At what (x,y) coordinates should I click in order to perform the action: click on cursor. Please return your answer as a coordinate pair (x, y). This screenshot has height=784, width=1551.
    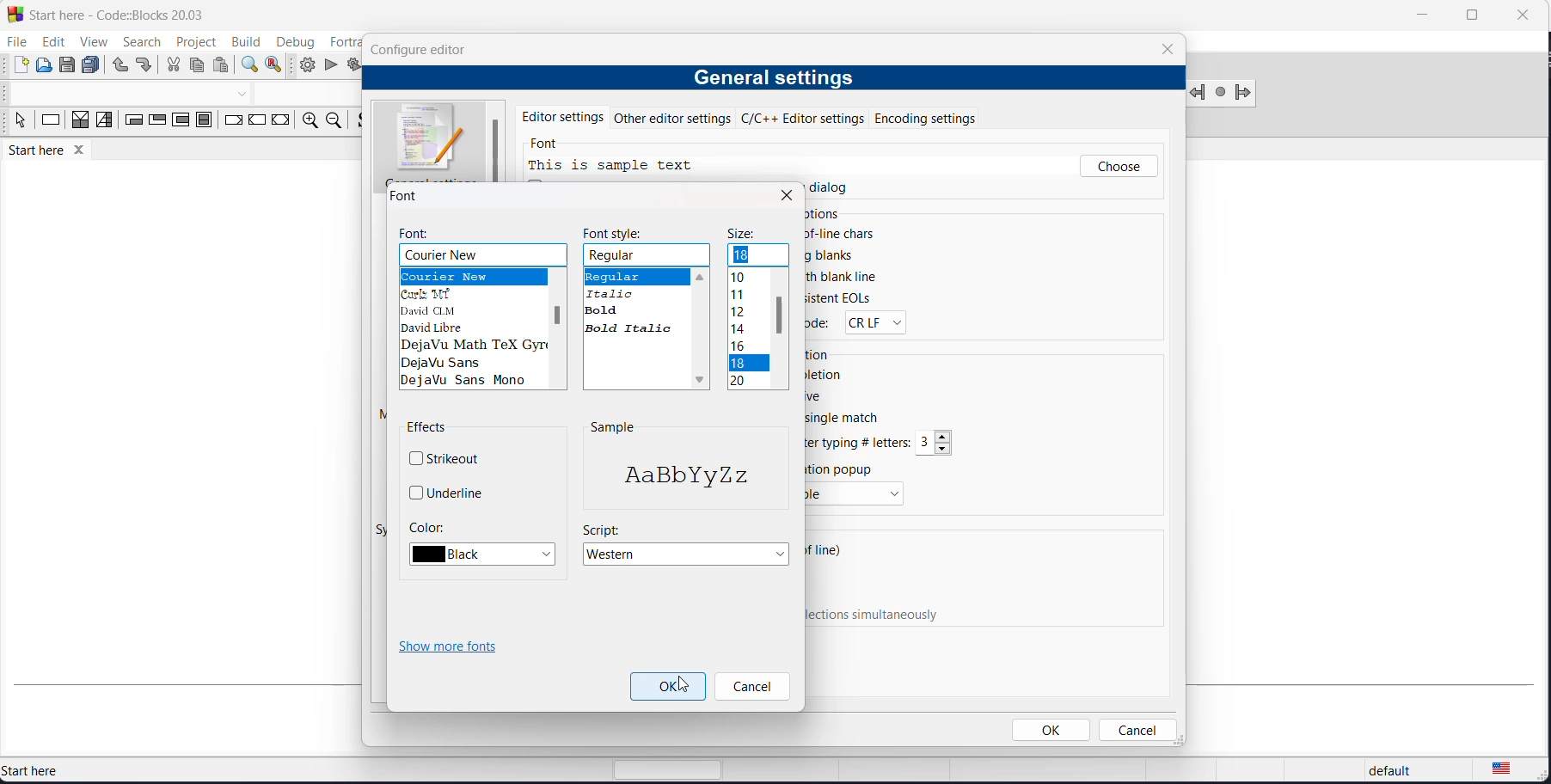
    Looking at the image, I should click on (684, 686).